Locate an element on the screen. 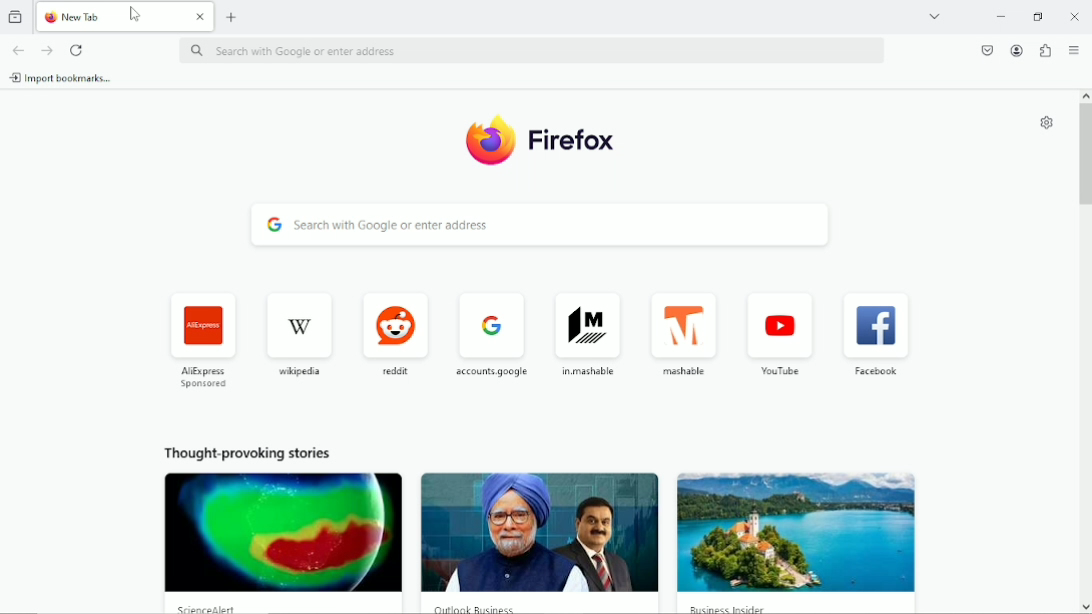 The image size is (1092, 614). Thought provoking stories is located at coordinates (252, 452).